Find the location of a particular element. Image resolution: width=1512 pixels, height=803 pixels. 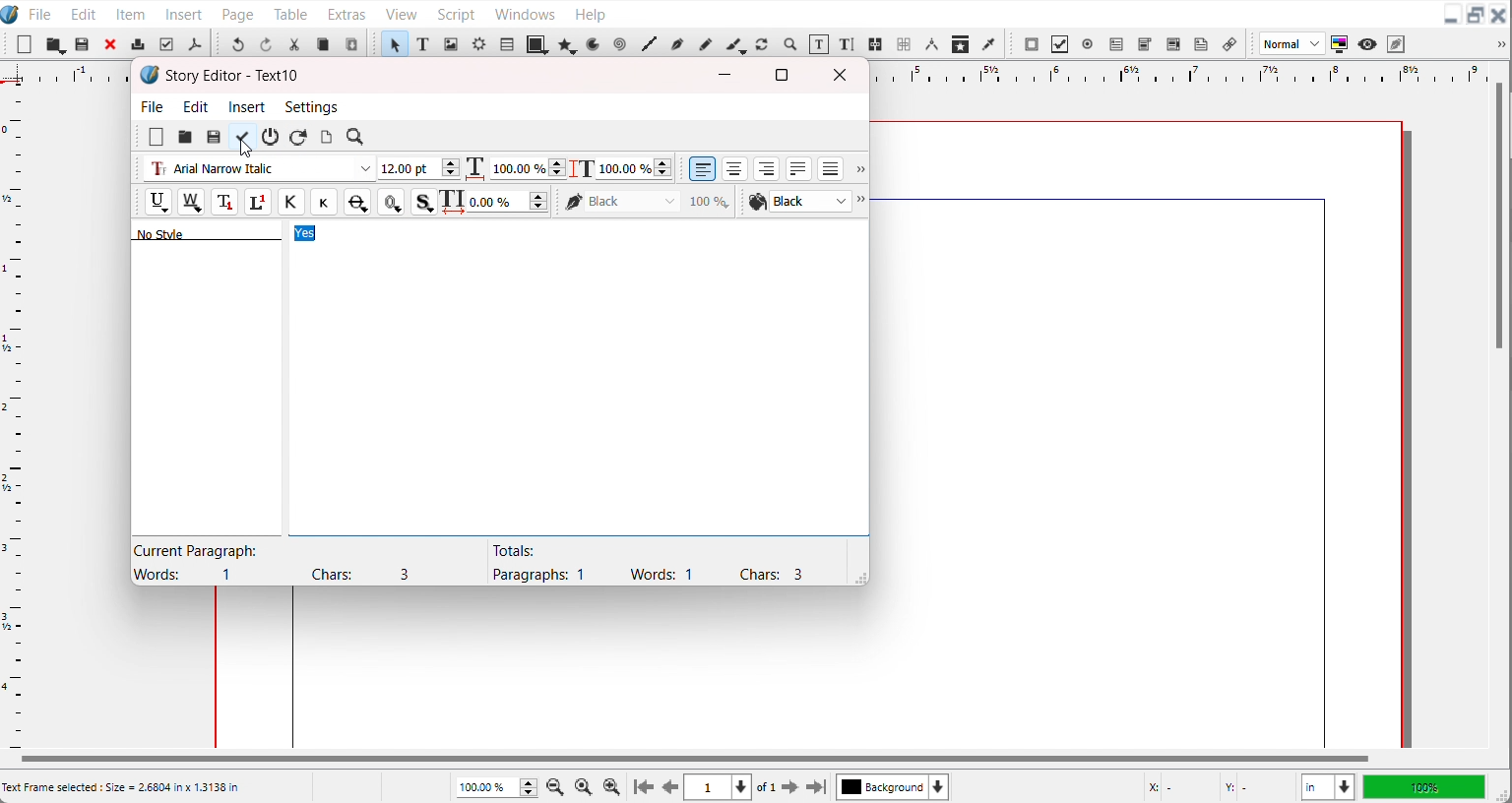

Text Annotation is located at coordinates (1201, 44).